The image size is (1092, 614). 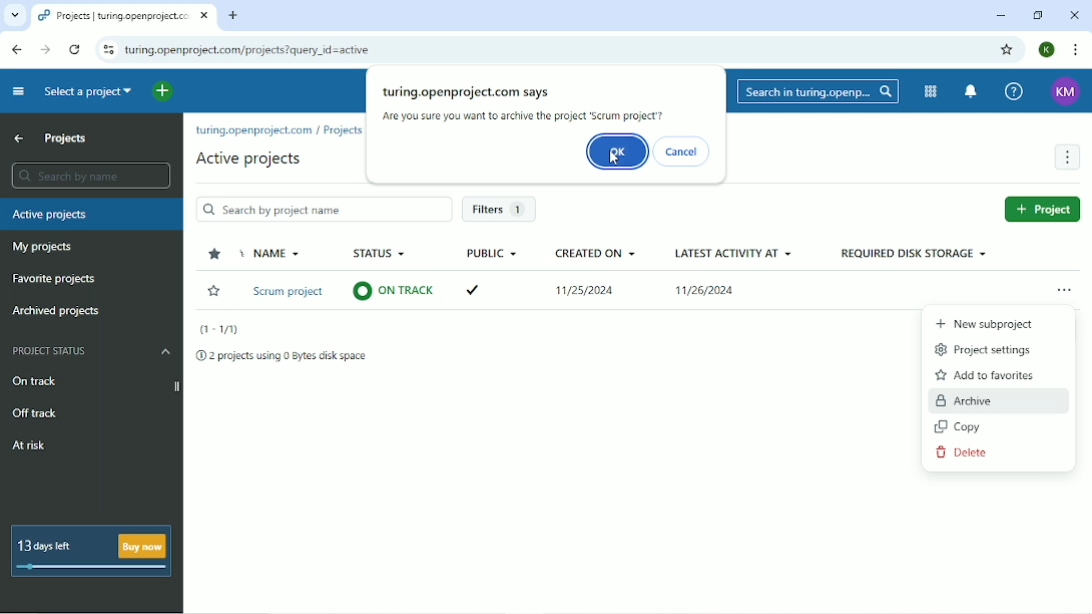 I want to click on Cancel, so click(x=681, y=153).